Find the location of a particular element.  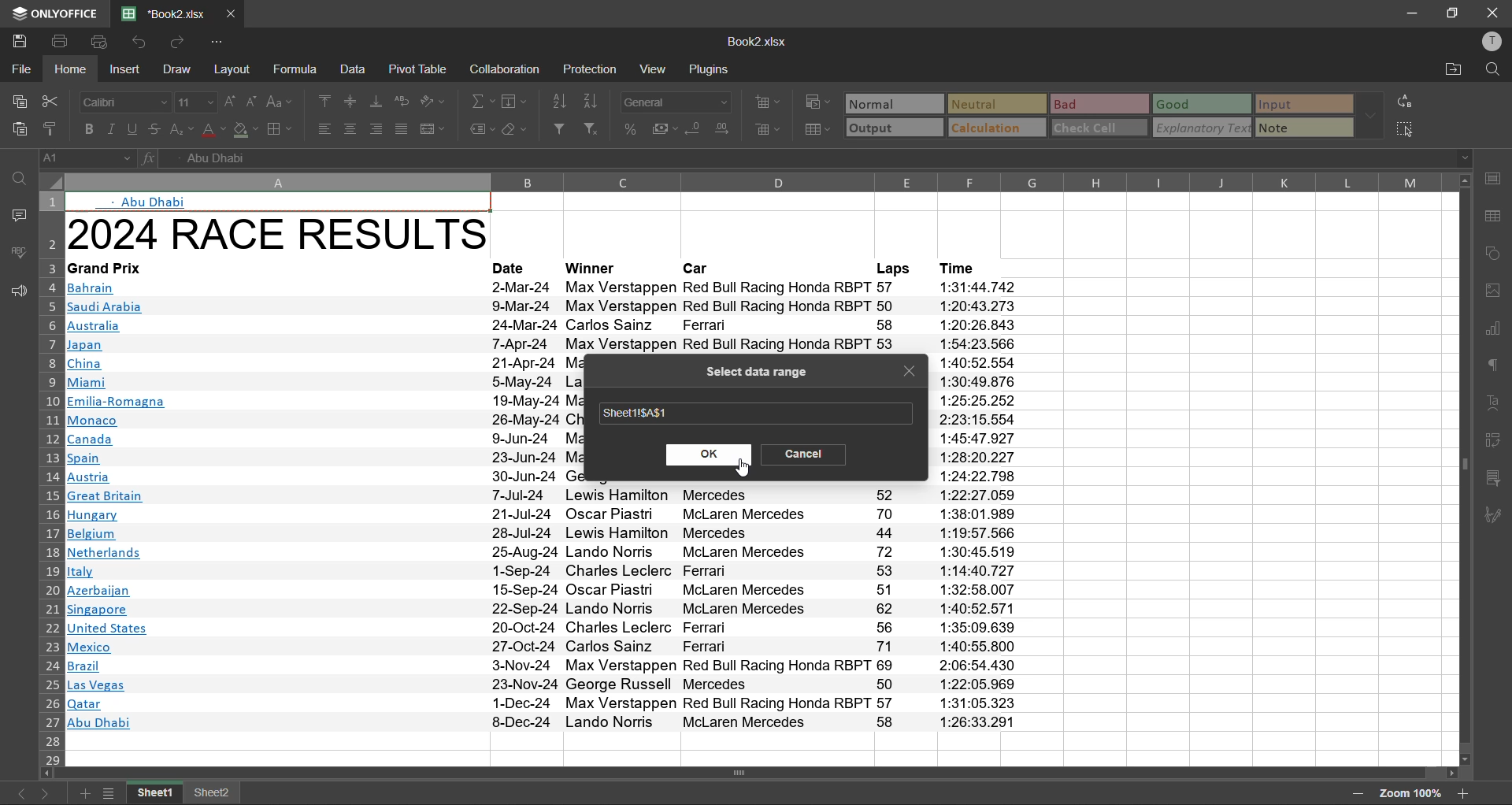

plugins is located at coordinates (710, 72).